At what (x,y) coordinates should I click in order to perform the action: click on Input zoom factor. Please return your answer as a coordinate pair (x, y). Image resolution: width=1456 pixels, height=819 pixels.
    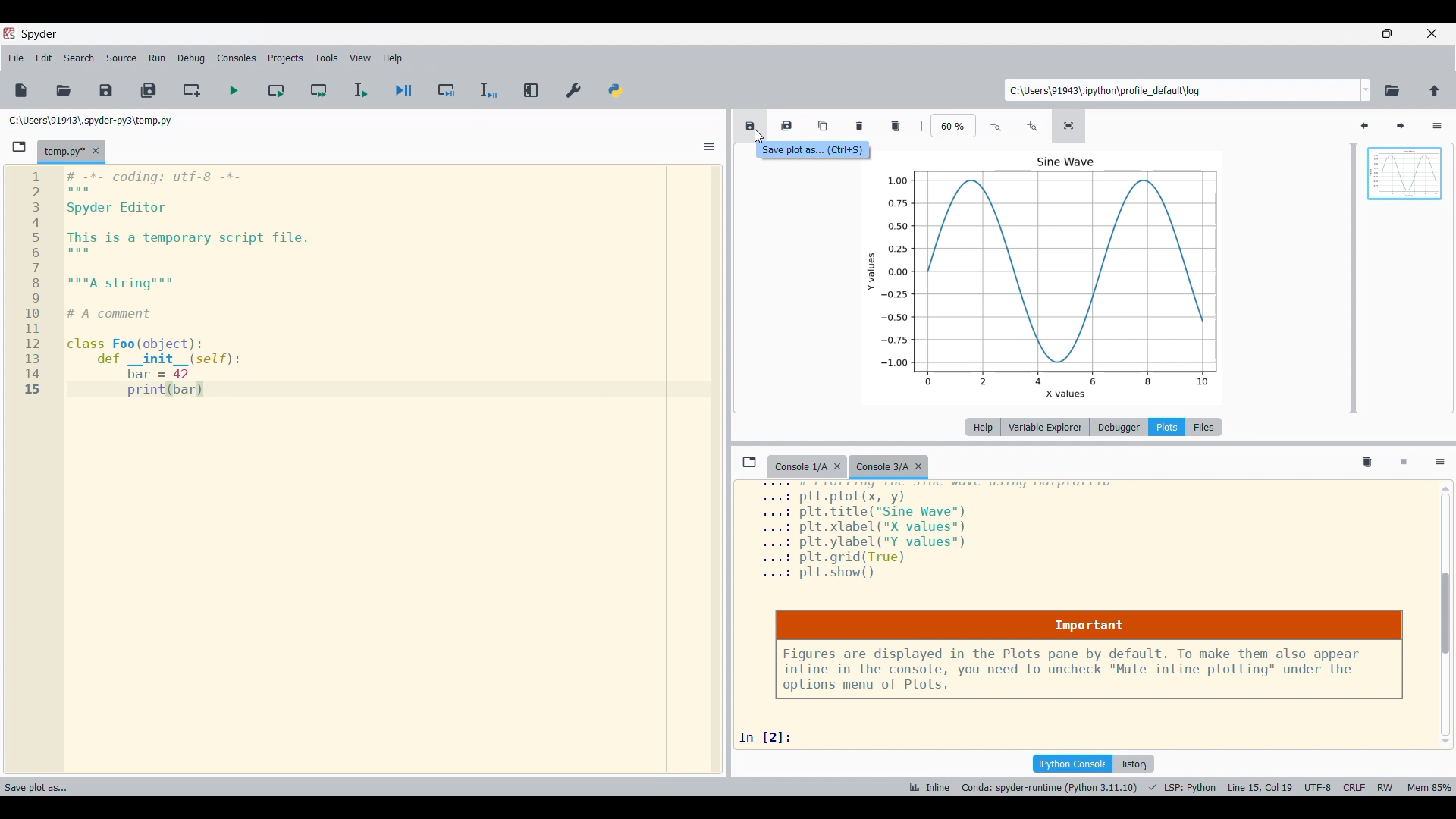
    Looking at the image, I should click on (954, 125).